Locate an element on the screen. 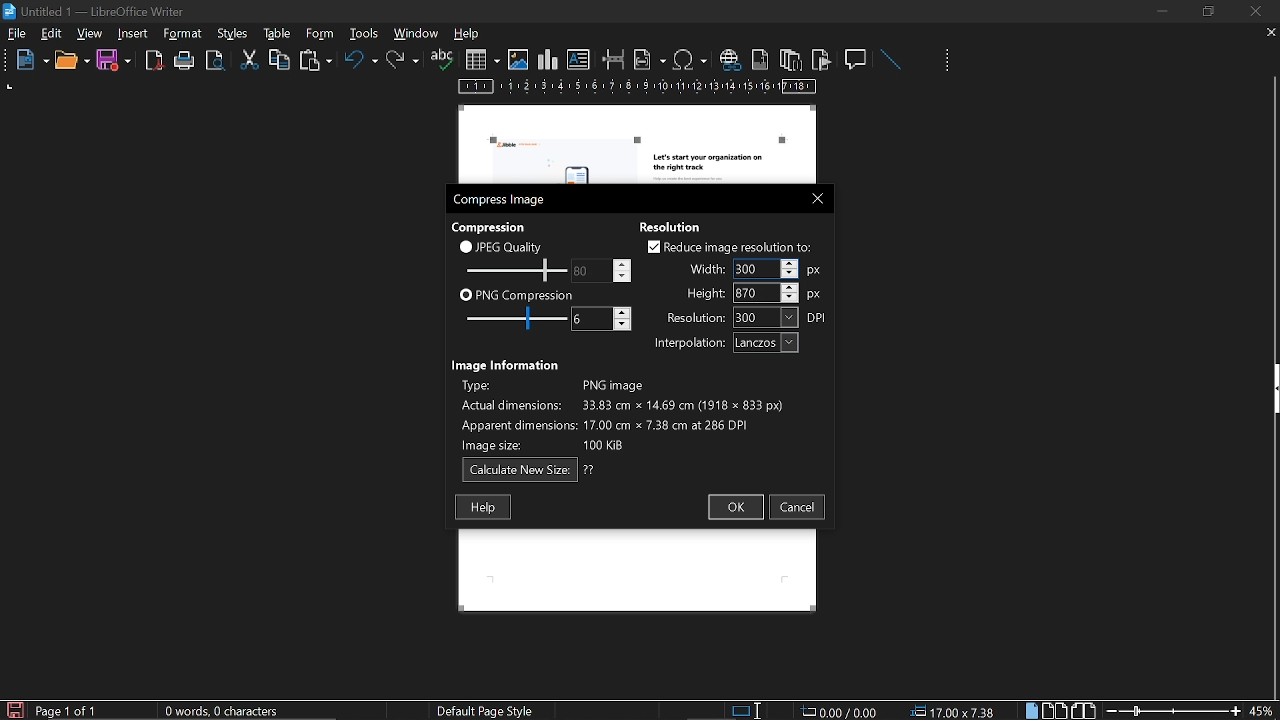 The width and height of the screenshot is (1280, 720). reduce image resolution is located at coordinates (730, 246).